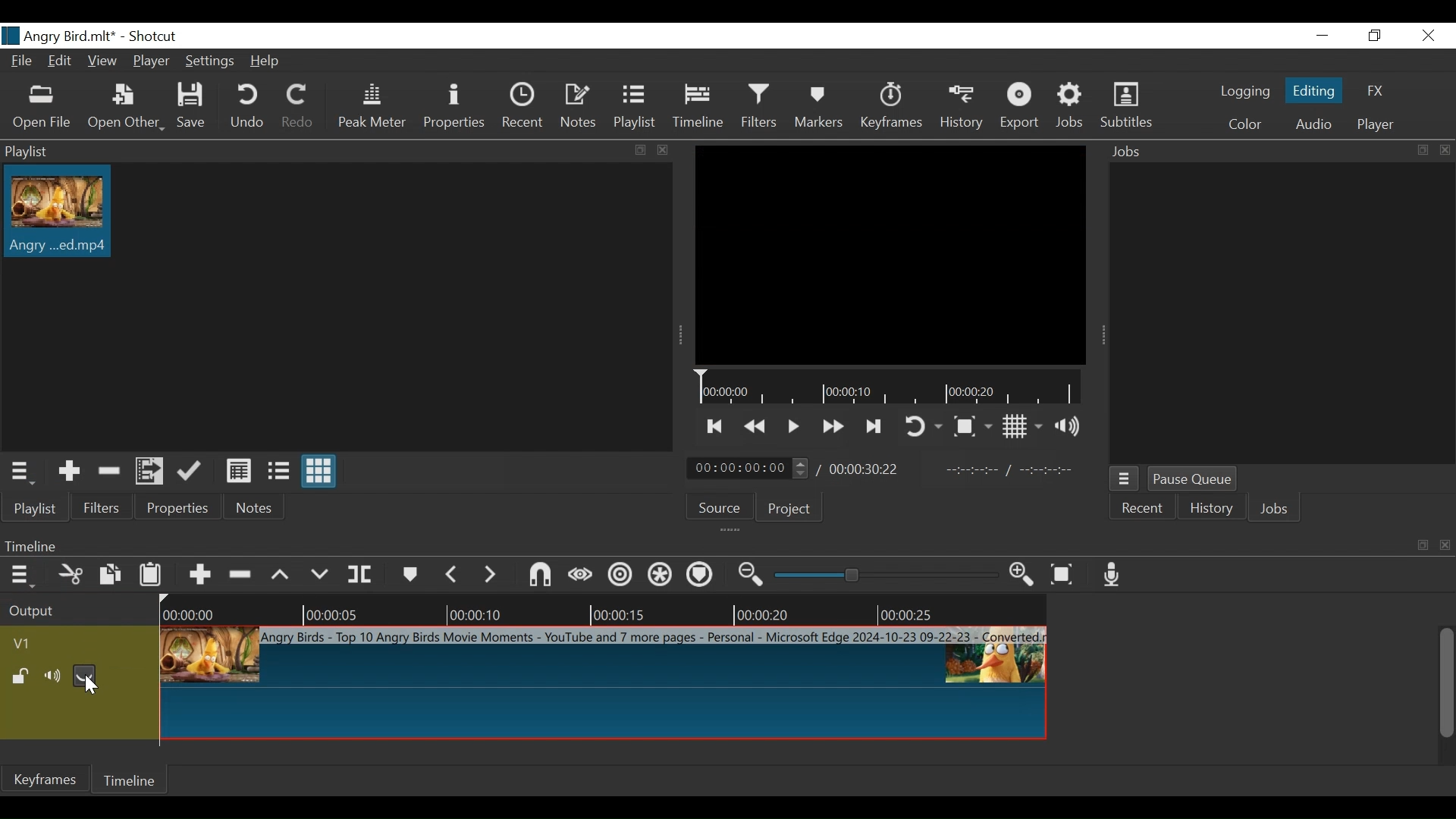 Image resolution: width=1456 pixels, height=819 pixels. What do you see at coordinates (246, 106) in the screenshot?
I see `Undo` at bounding box center [246, 106].